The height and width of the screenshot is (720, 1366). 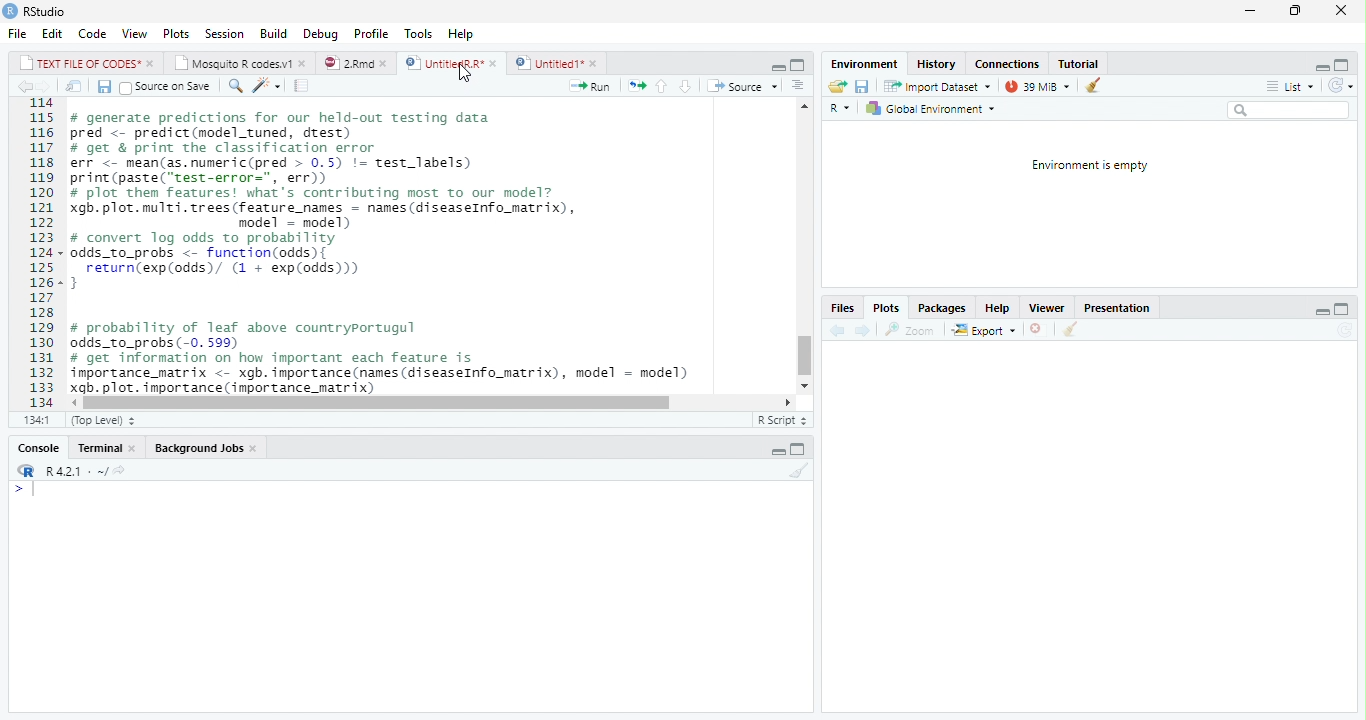 What do you see at coordinates (1294, 11) in the screenshot?
I see `Restore Down` at bounding box center [1294, 11].